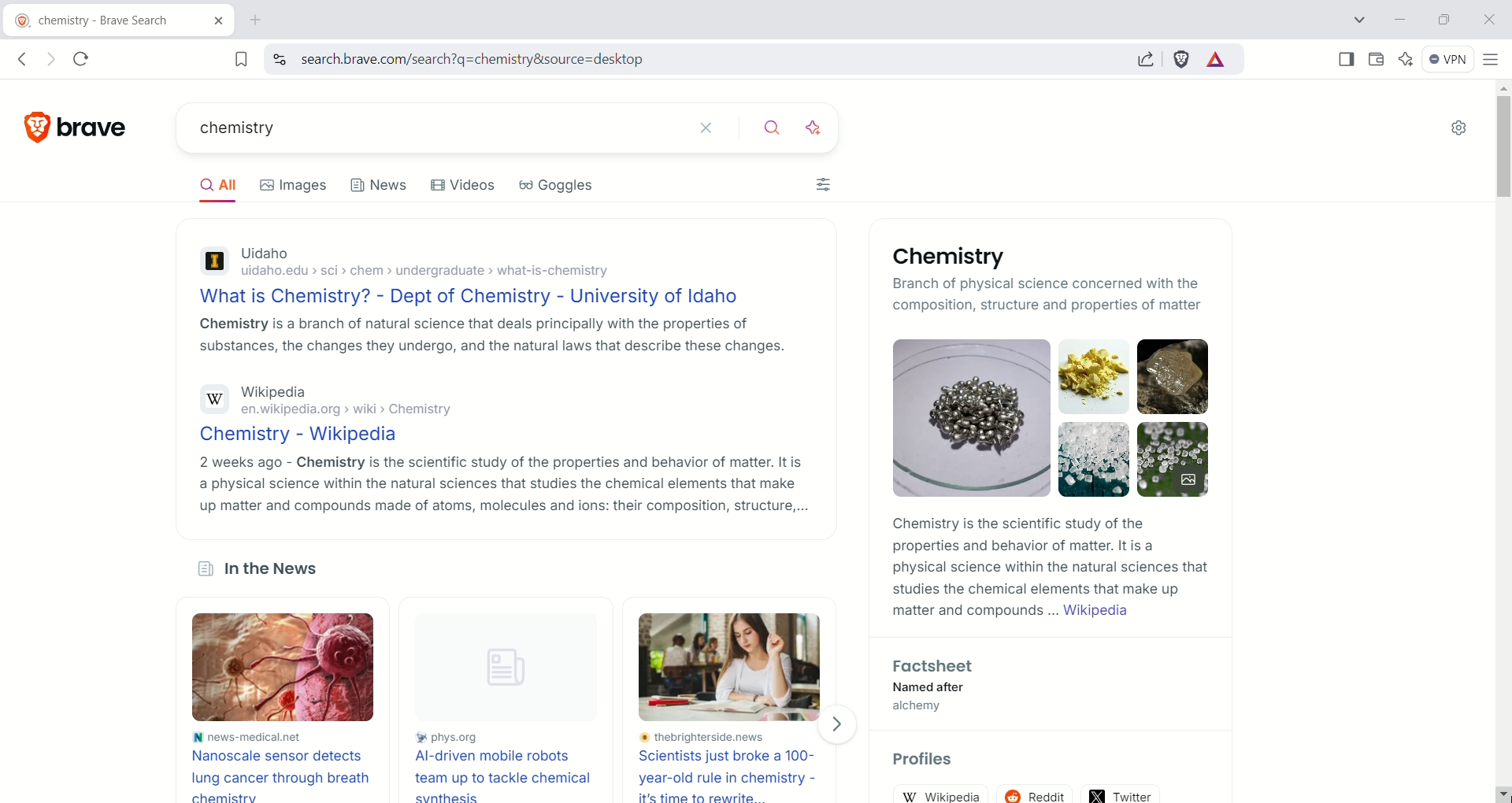  What do you see at coordinates (1050, 296) in the screenshot?
I see `branch of physical science concerned with the composition, structure and properties of matter` at bounding box center [1050, 296].